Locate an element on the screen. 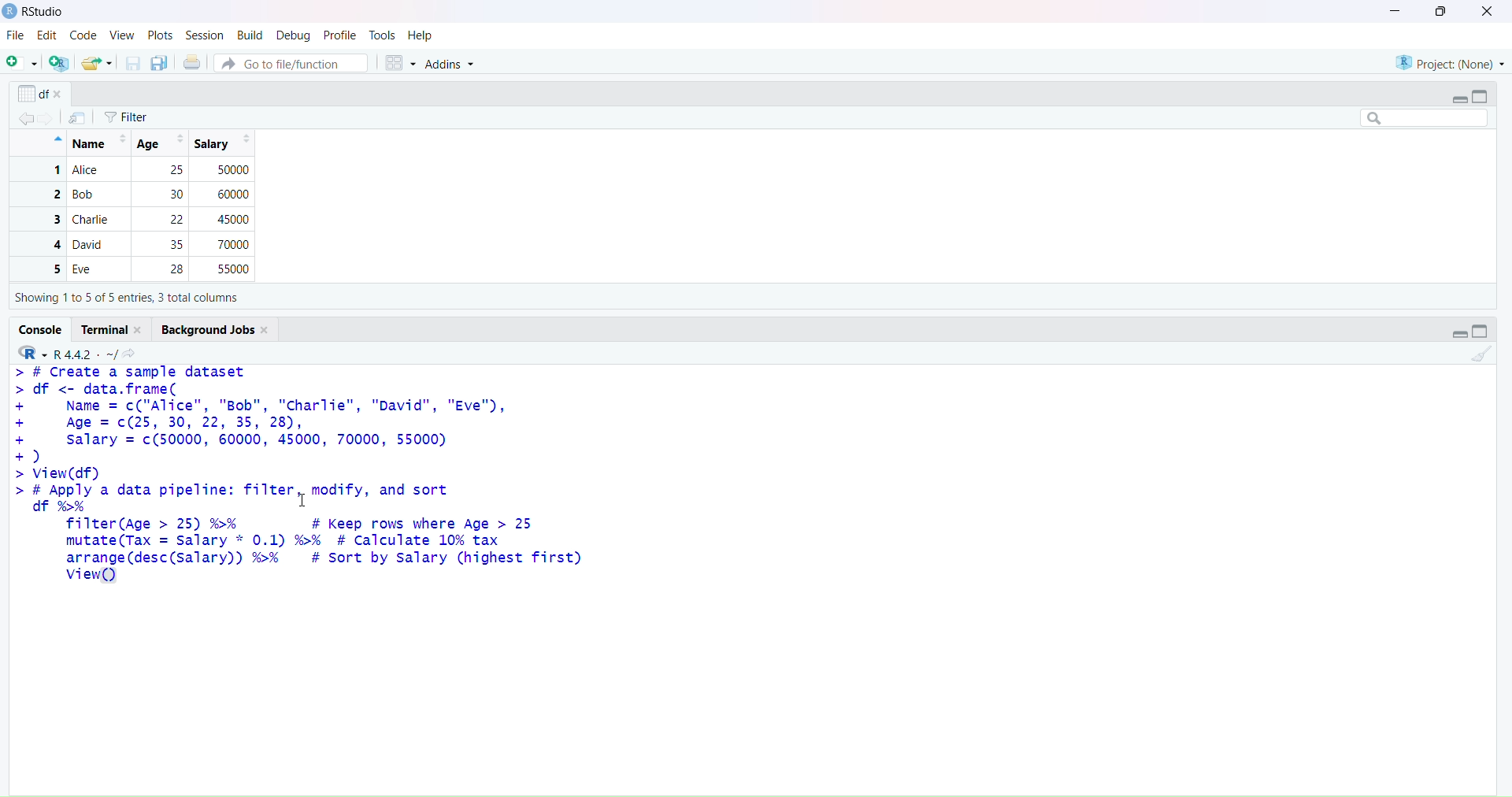 The height and width of the screenshot is (797, 1512). expand is located at coordinates (1452, 333).